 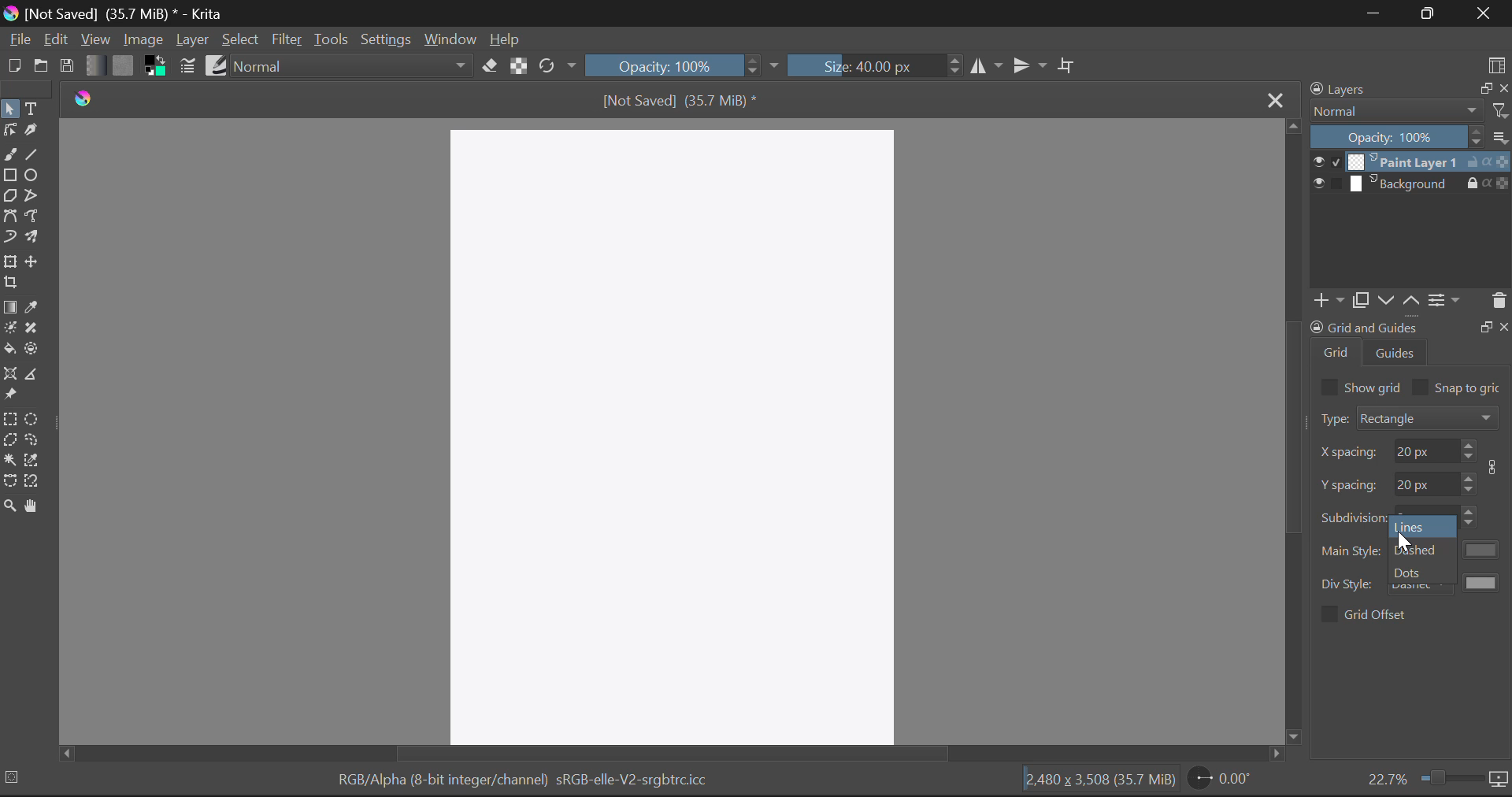 I want to click on Bezier Curve Selection, so click(x=10, y=481).